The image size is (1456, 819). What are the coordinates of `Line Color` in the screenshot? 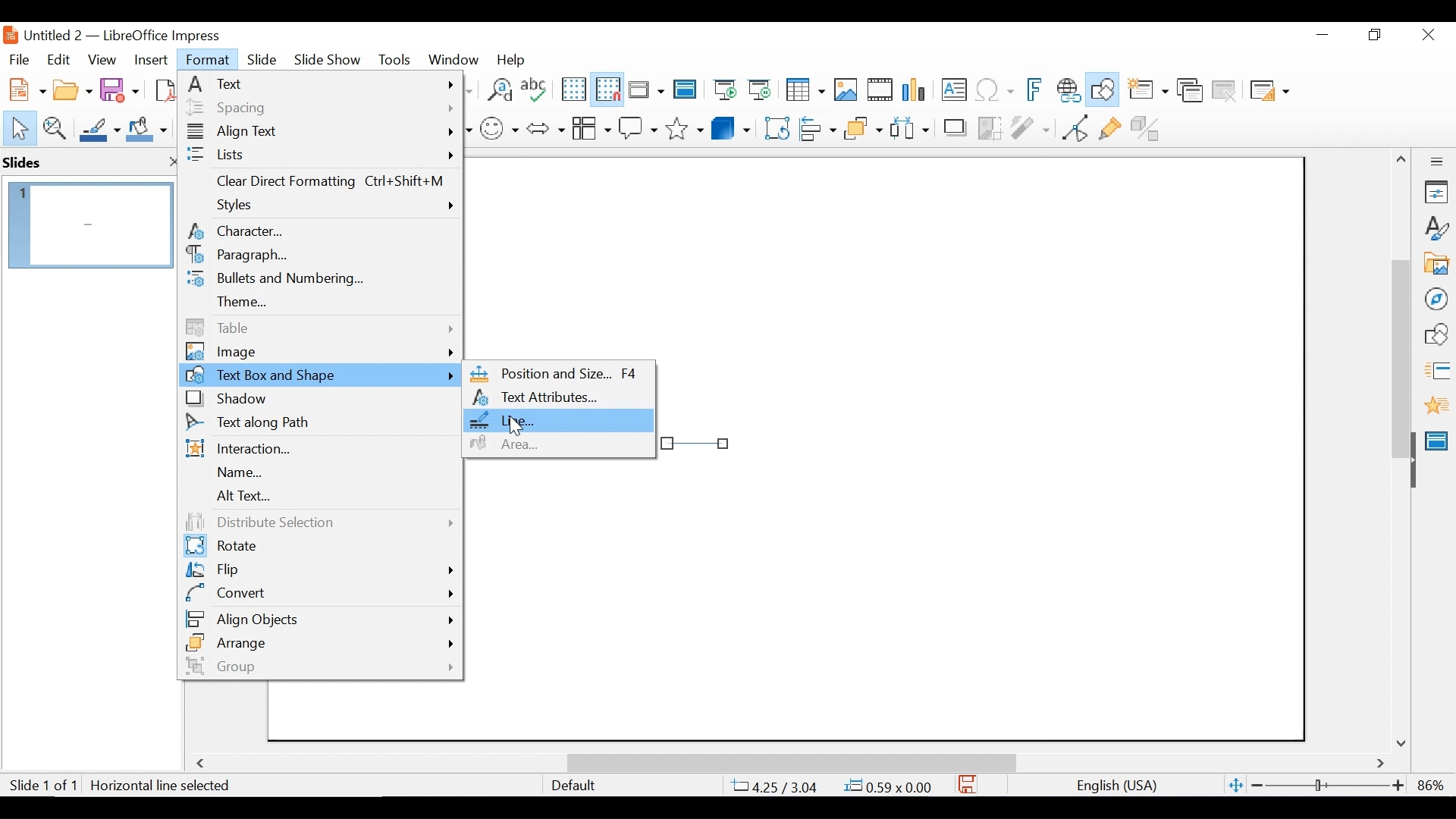 It's located at (98, 129).